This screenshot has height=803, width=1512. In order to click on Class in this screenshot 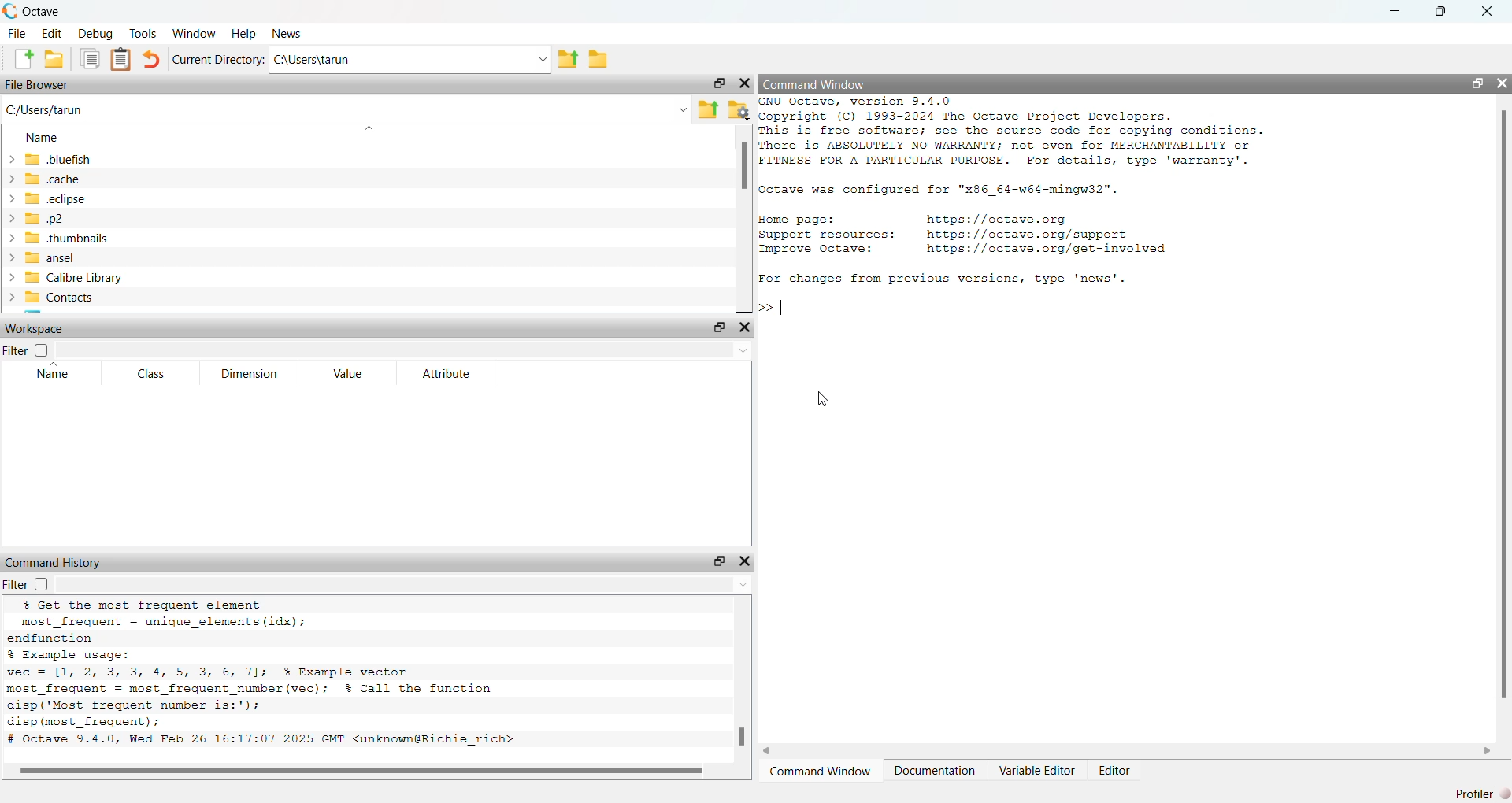, I will do `click(154, 374)`.